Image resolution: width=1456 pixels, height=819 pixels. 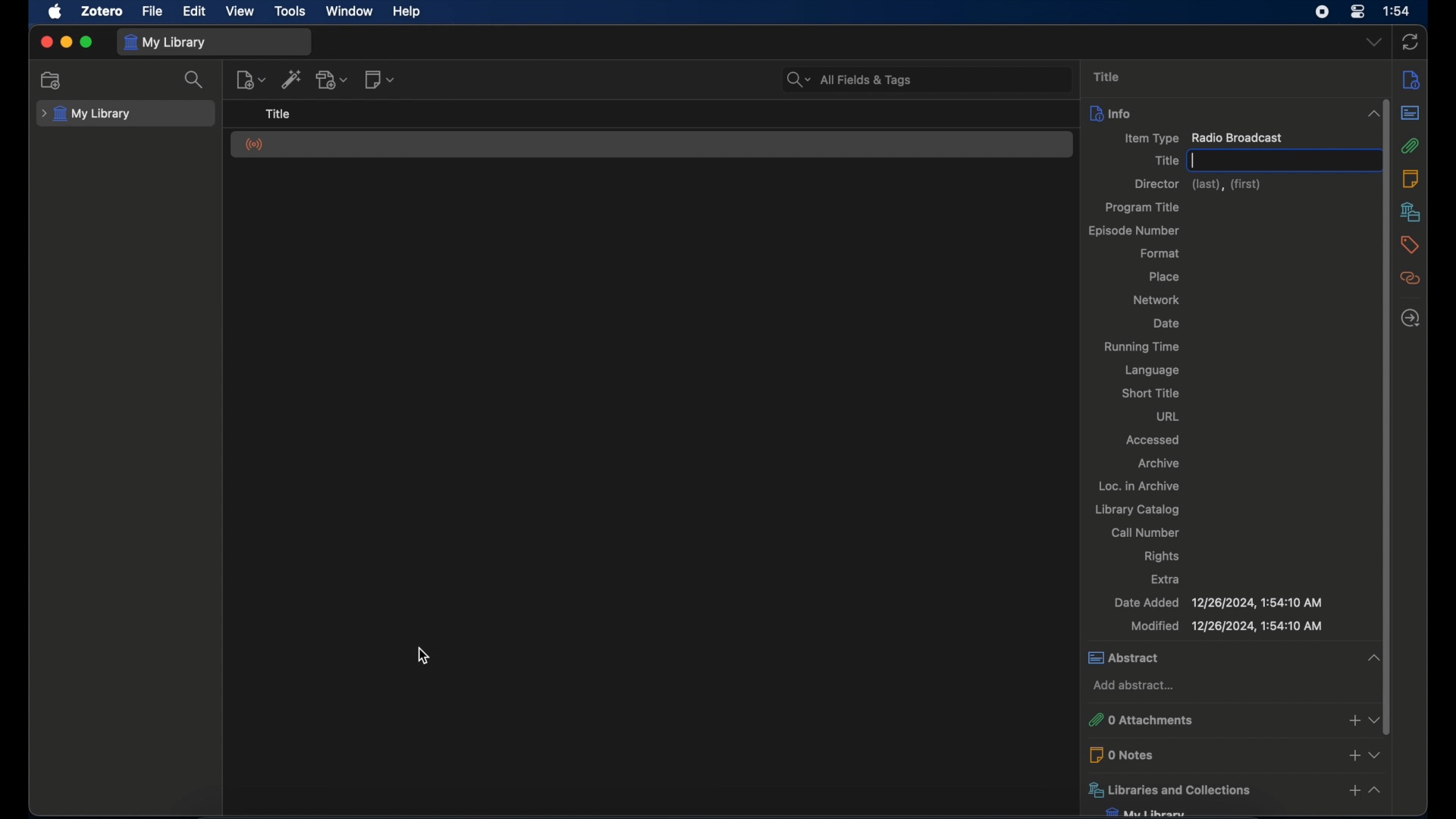 What do you see at coordinates (293, 79) in the screenshot?
I see `add item by identifier` at bounding box center [293, 79].